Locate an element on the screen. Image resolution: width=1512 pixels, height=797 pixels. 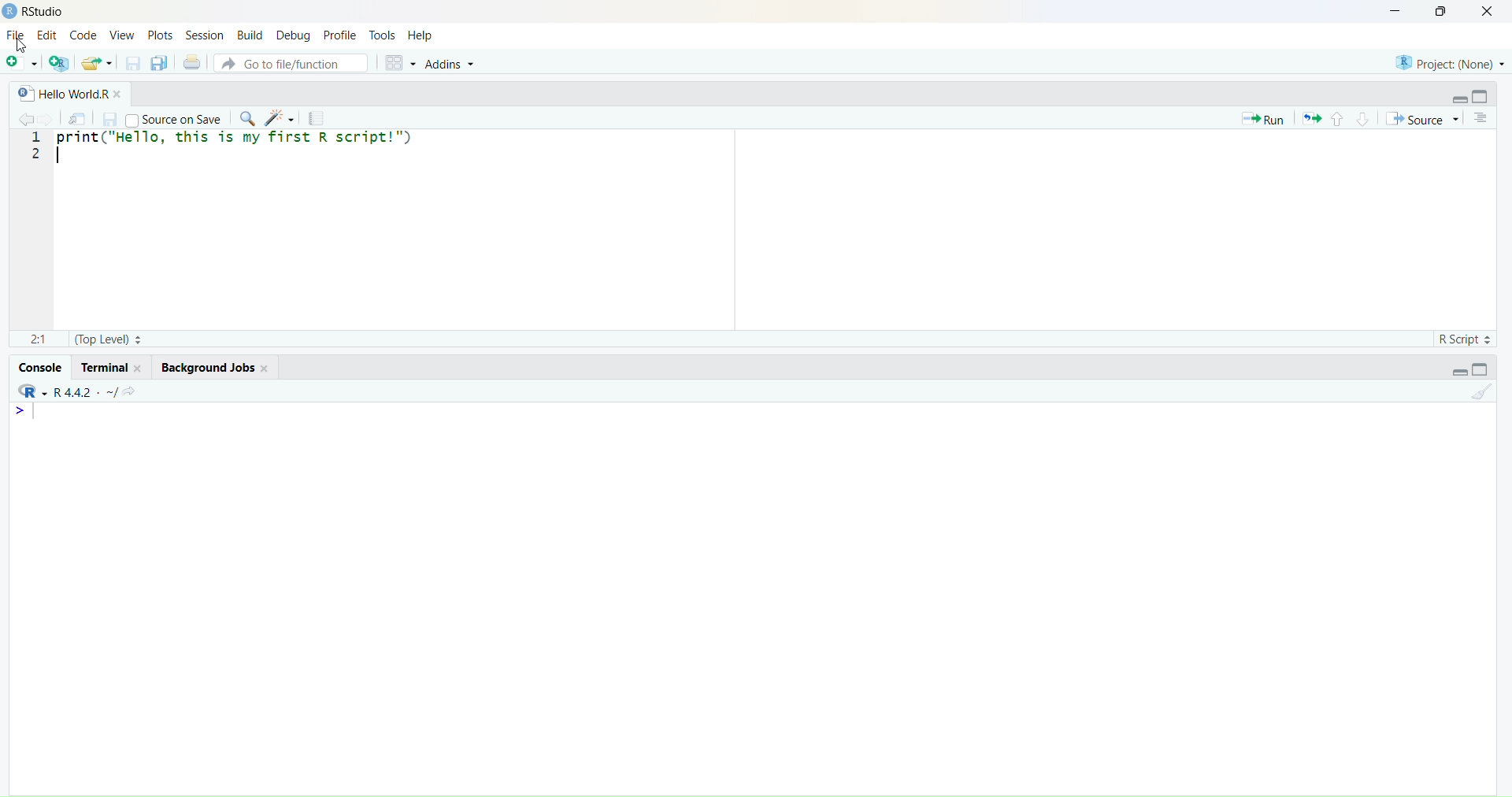
Plots is located at coordinates (159, 35).